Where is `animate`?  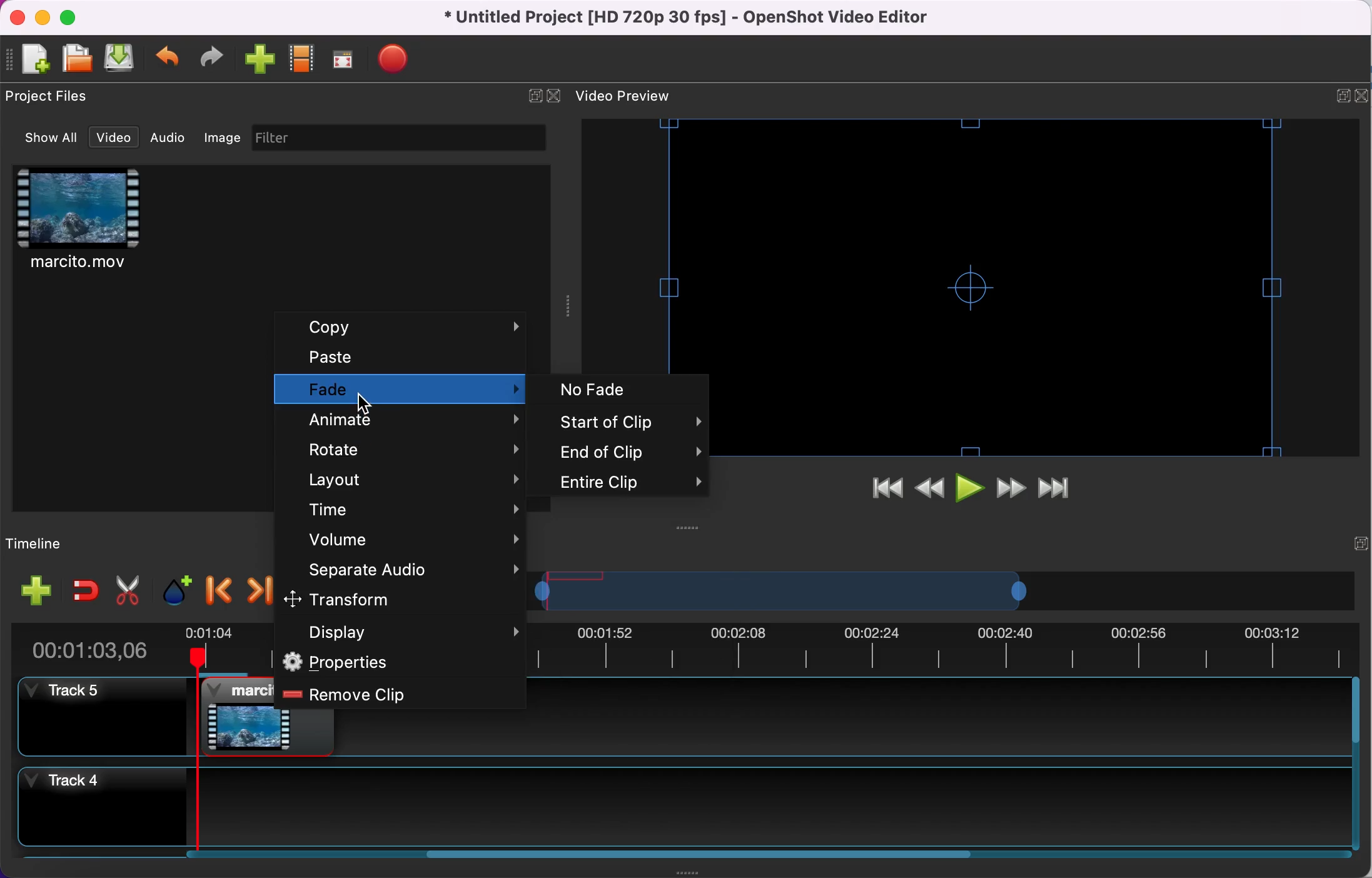
animate is located at coordinates (409, 423).